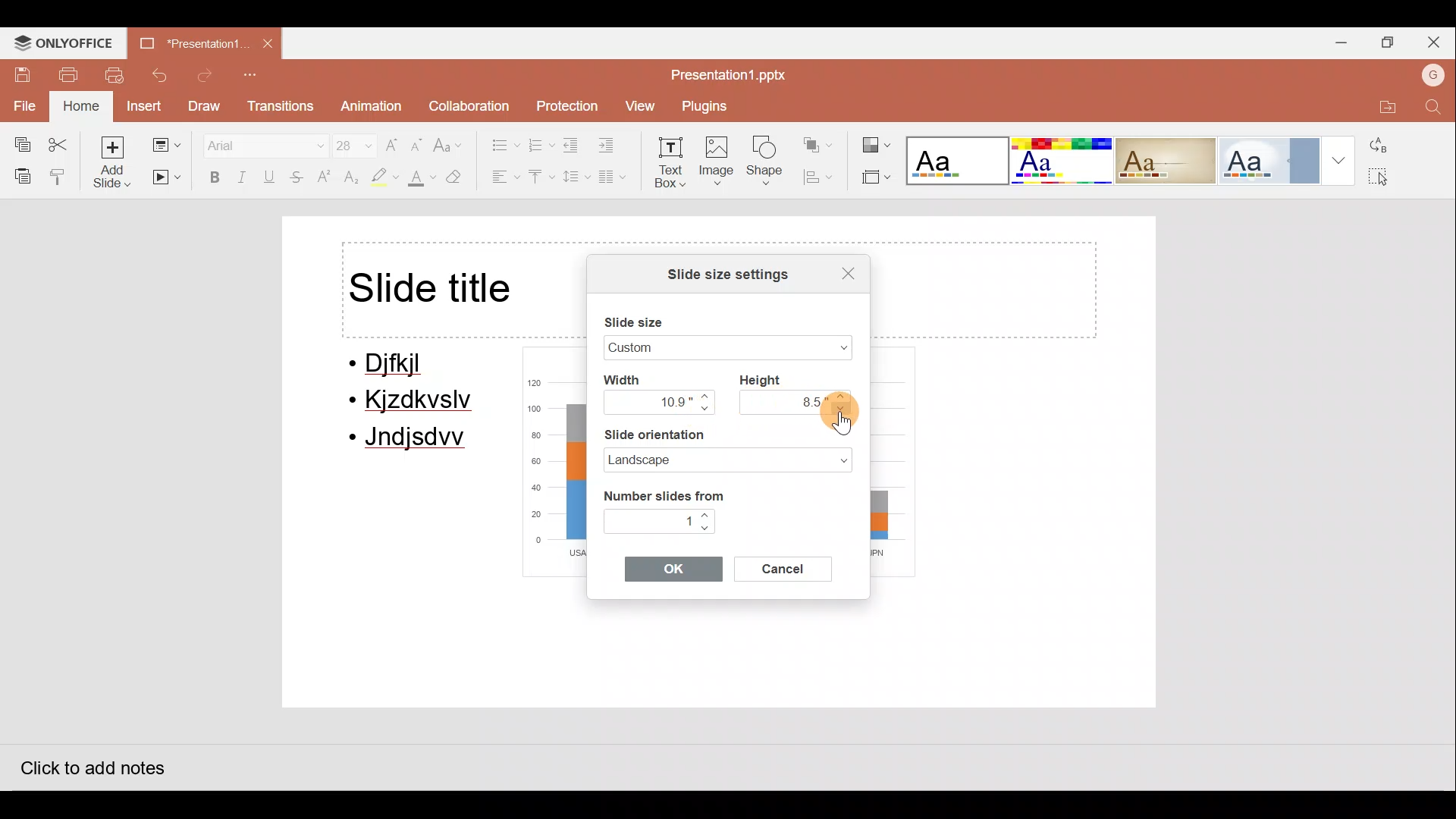  Describe the element at coordinates (1175, 160) in the screenshot. I see `Theme 3` at that location.